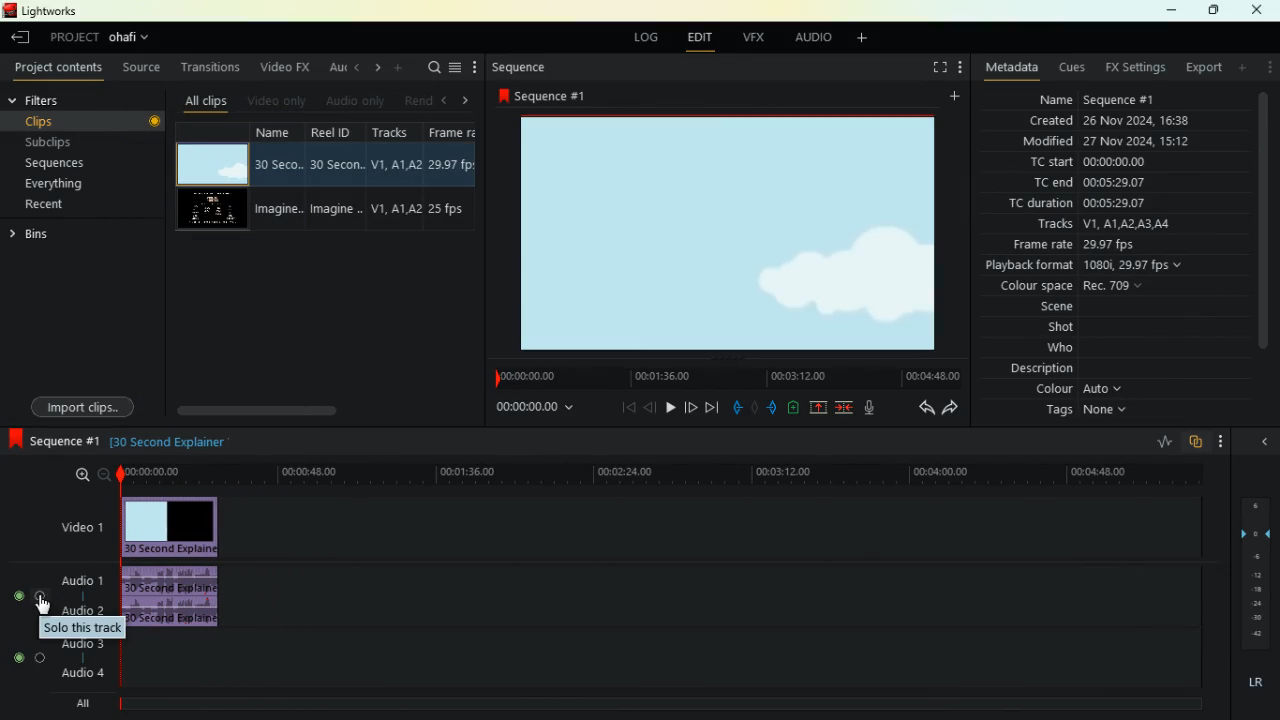 This screenshot has height=720, width=1280. What do you see at coordinates (642, 39) in the screenshot?
I see `log` at bounding box center [642, 39].